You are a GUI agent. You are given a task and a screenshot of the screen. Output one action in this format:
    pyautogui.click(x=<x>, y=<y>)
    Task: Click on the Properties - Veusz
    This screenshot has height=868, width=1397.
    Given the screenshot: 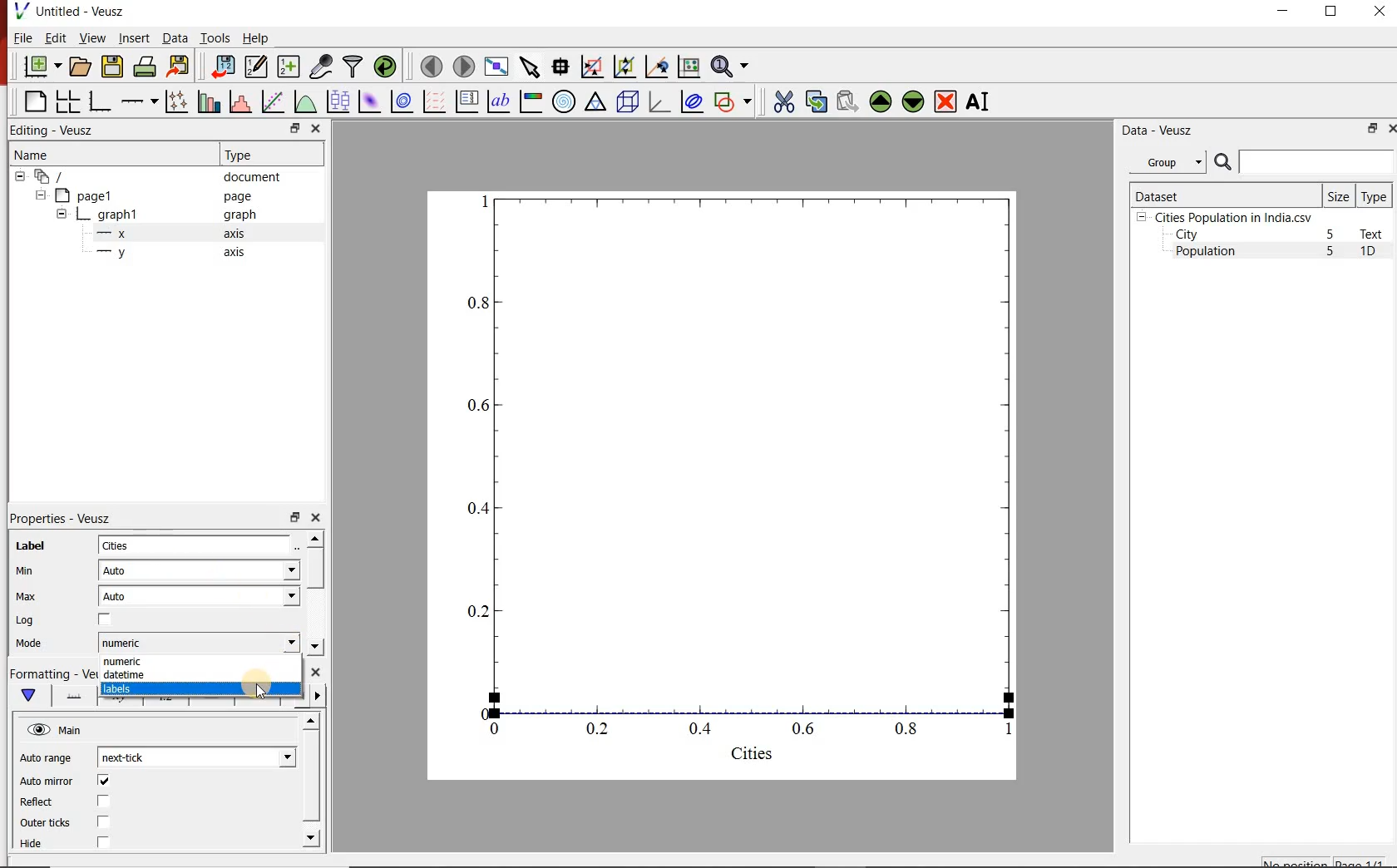 What is the action you would take?
    pyautogui.click(x=60, y=519)
    